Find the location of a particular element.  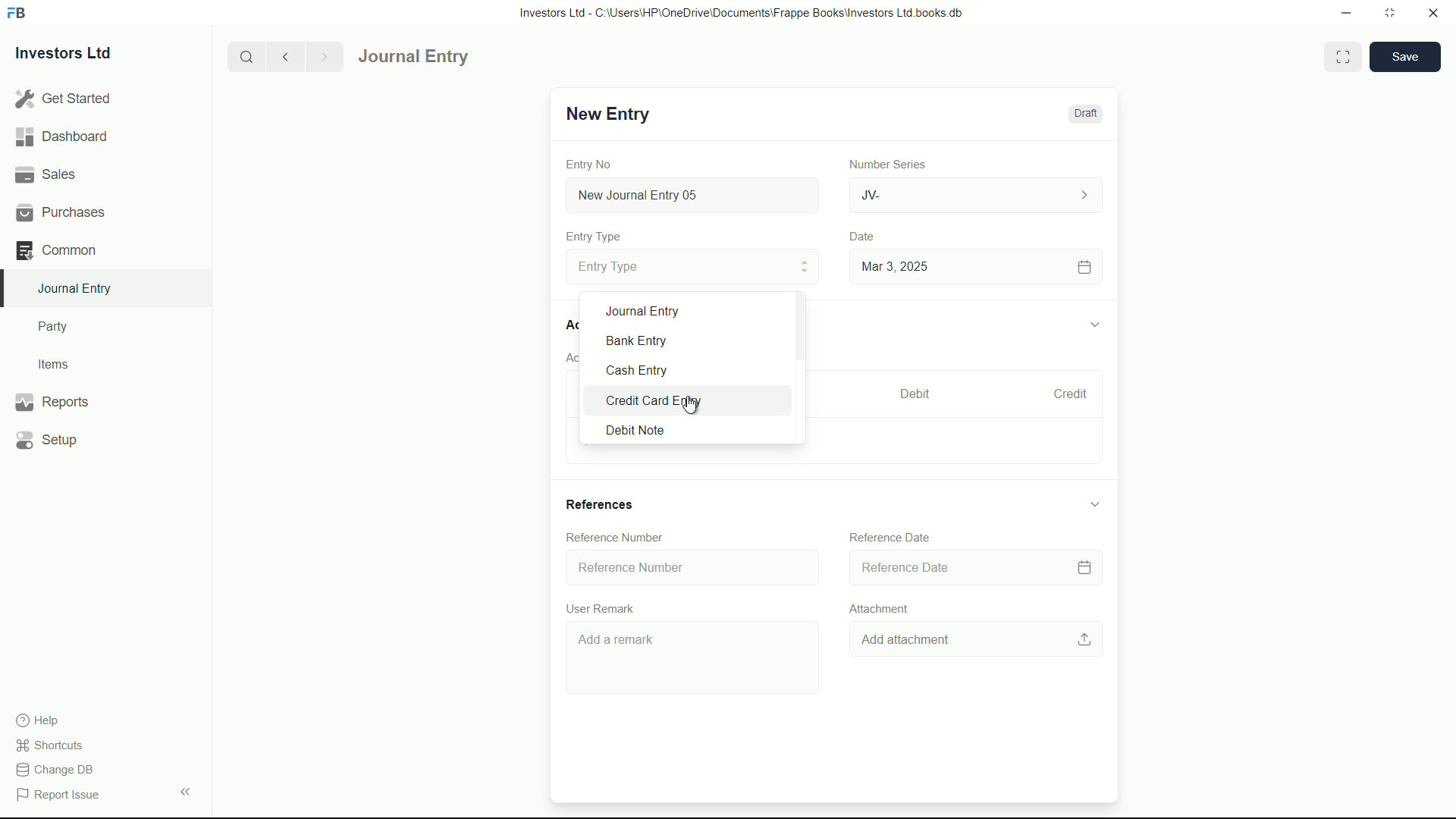

previous is located at coordinates (284, 56).